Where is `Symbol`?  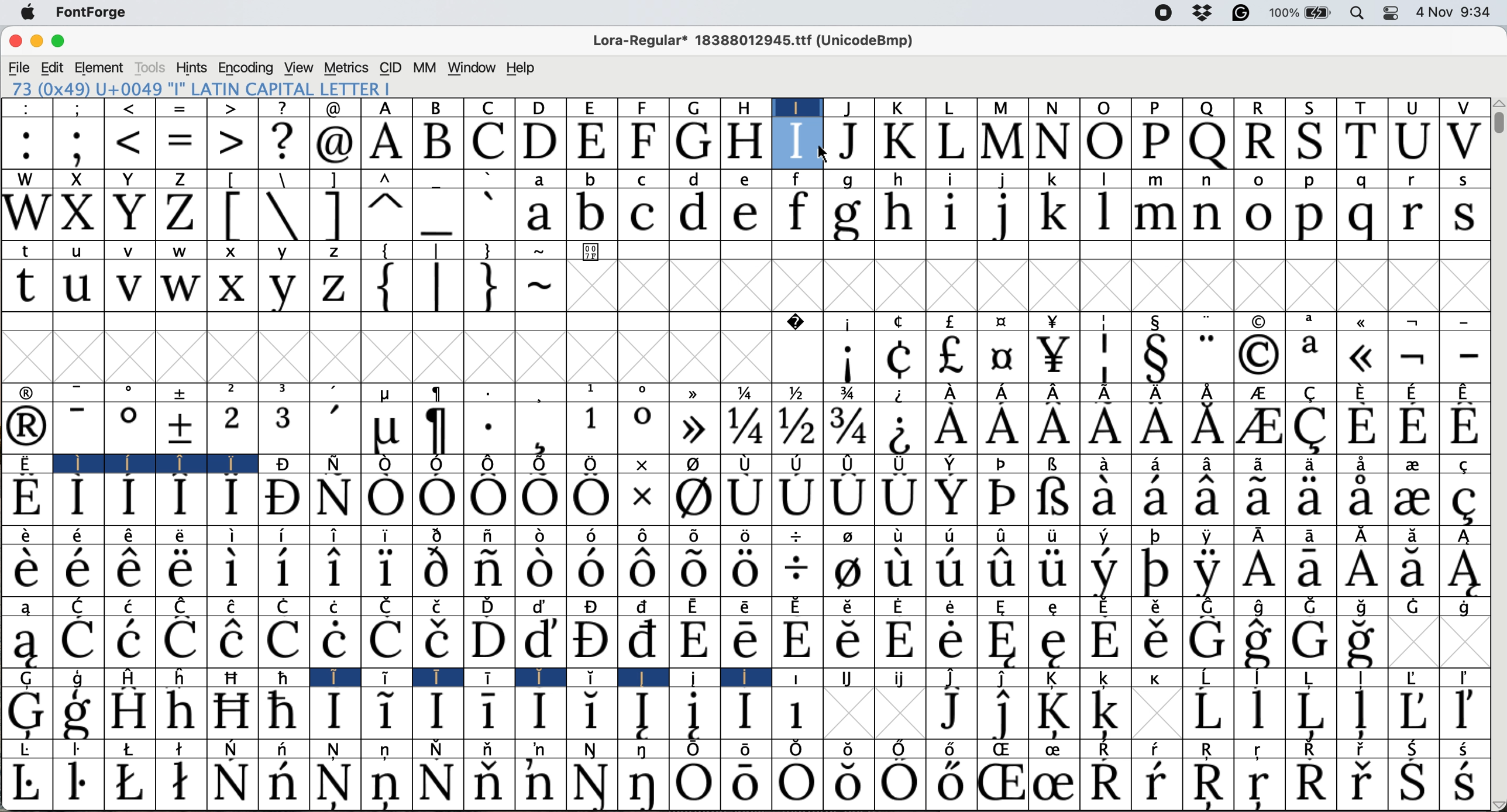 Symbol is located at coordinates (231, 711).